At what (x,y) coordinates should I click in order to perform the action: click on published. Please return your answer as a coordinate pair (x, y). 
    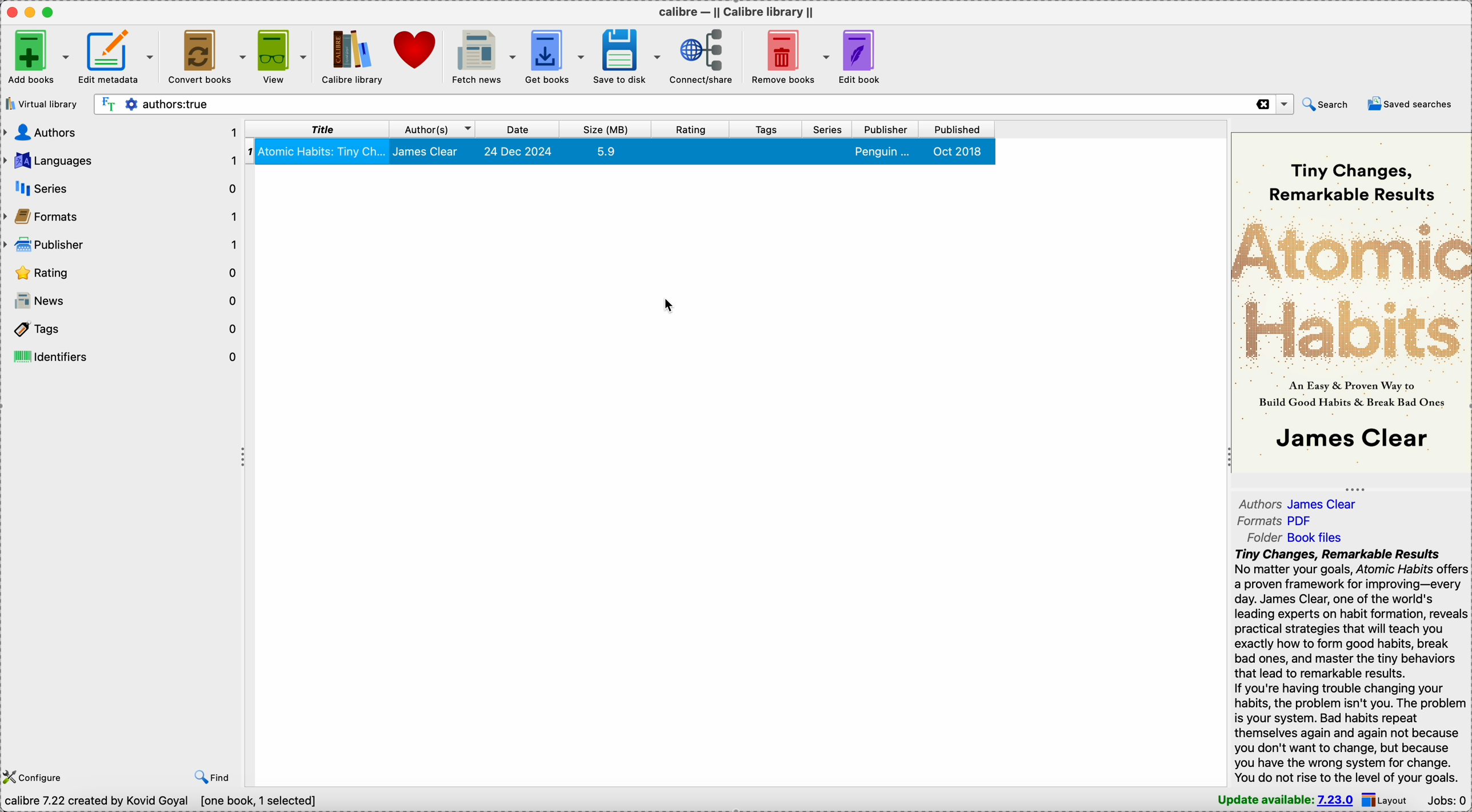
    Looking at the image, I should click on (957, 129).